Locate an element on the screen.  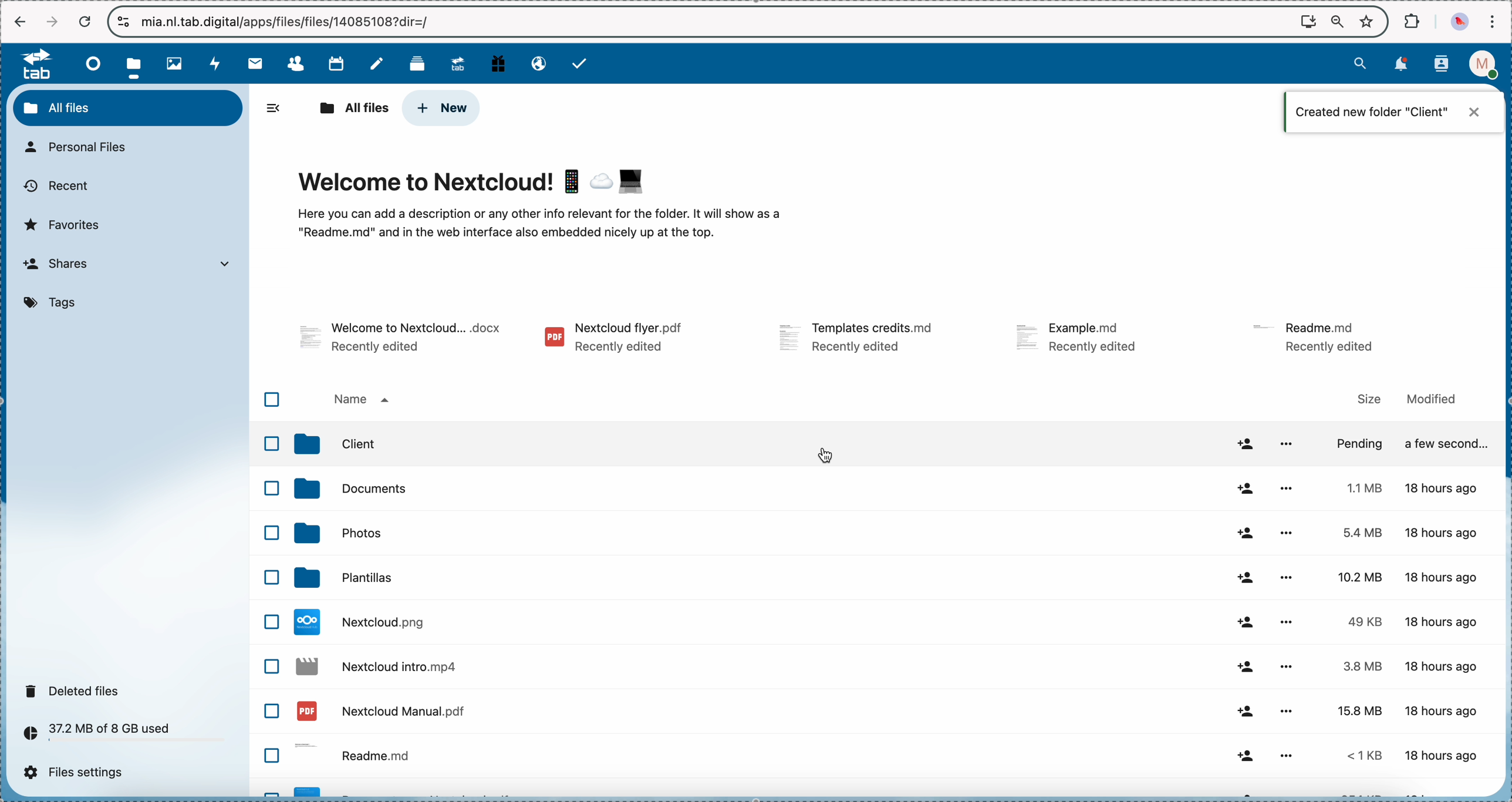
more options is located at coordinates (1285, 621).